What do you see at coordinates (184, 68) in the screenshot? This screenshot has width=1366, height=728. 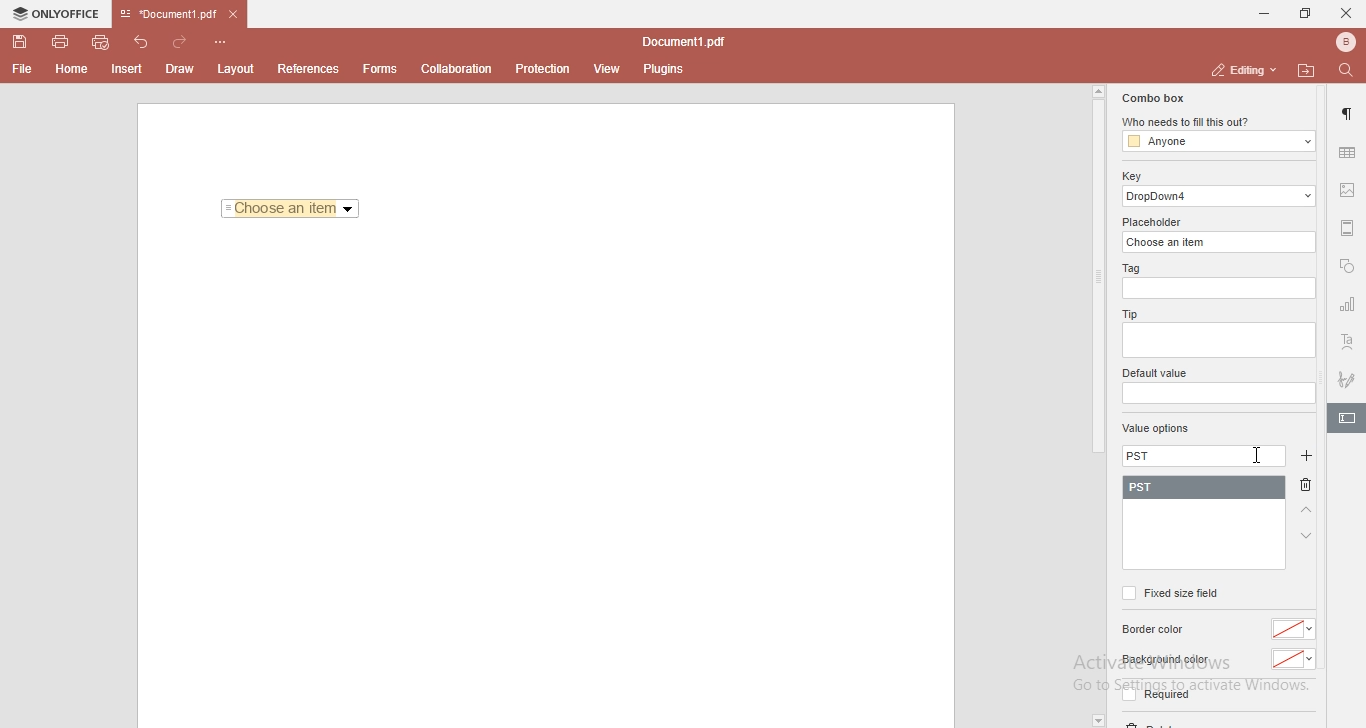 I see `Draw` at bounding box center [184, 68].